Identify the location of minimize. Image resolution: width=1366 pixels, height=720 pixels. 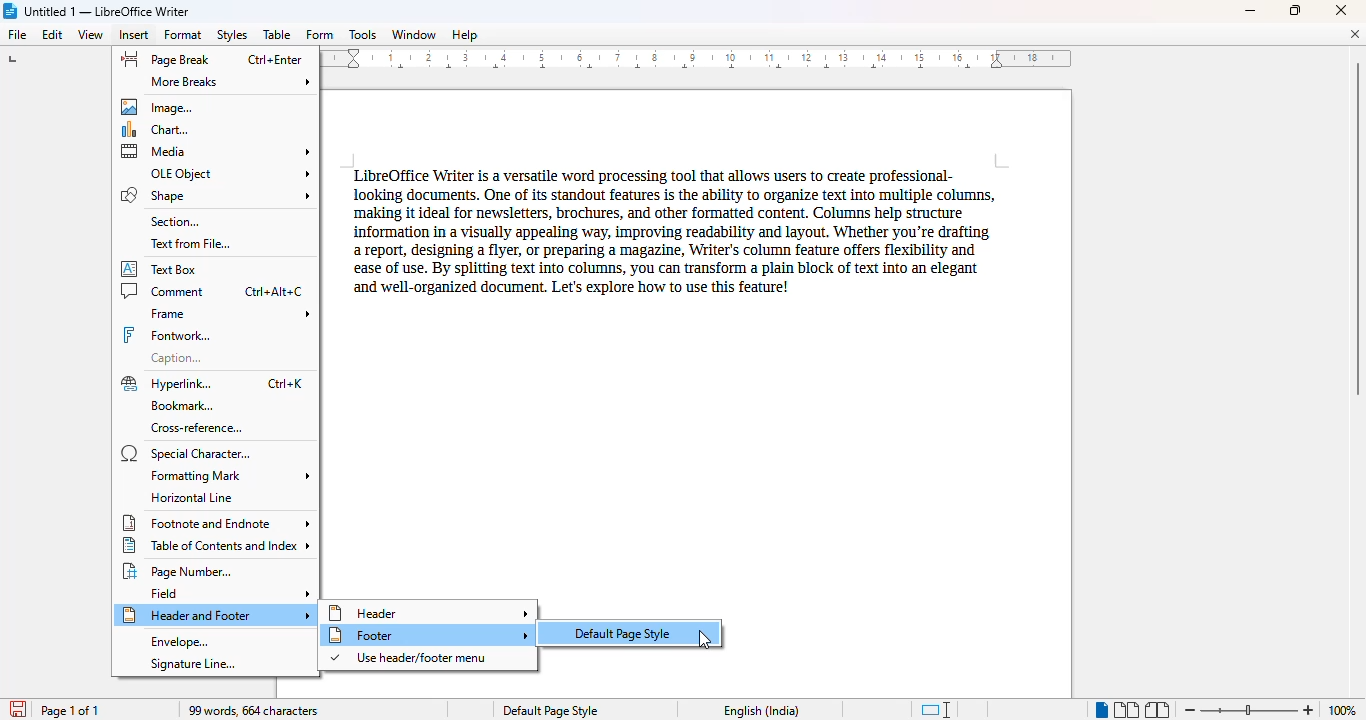
(1251, 11).